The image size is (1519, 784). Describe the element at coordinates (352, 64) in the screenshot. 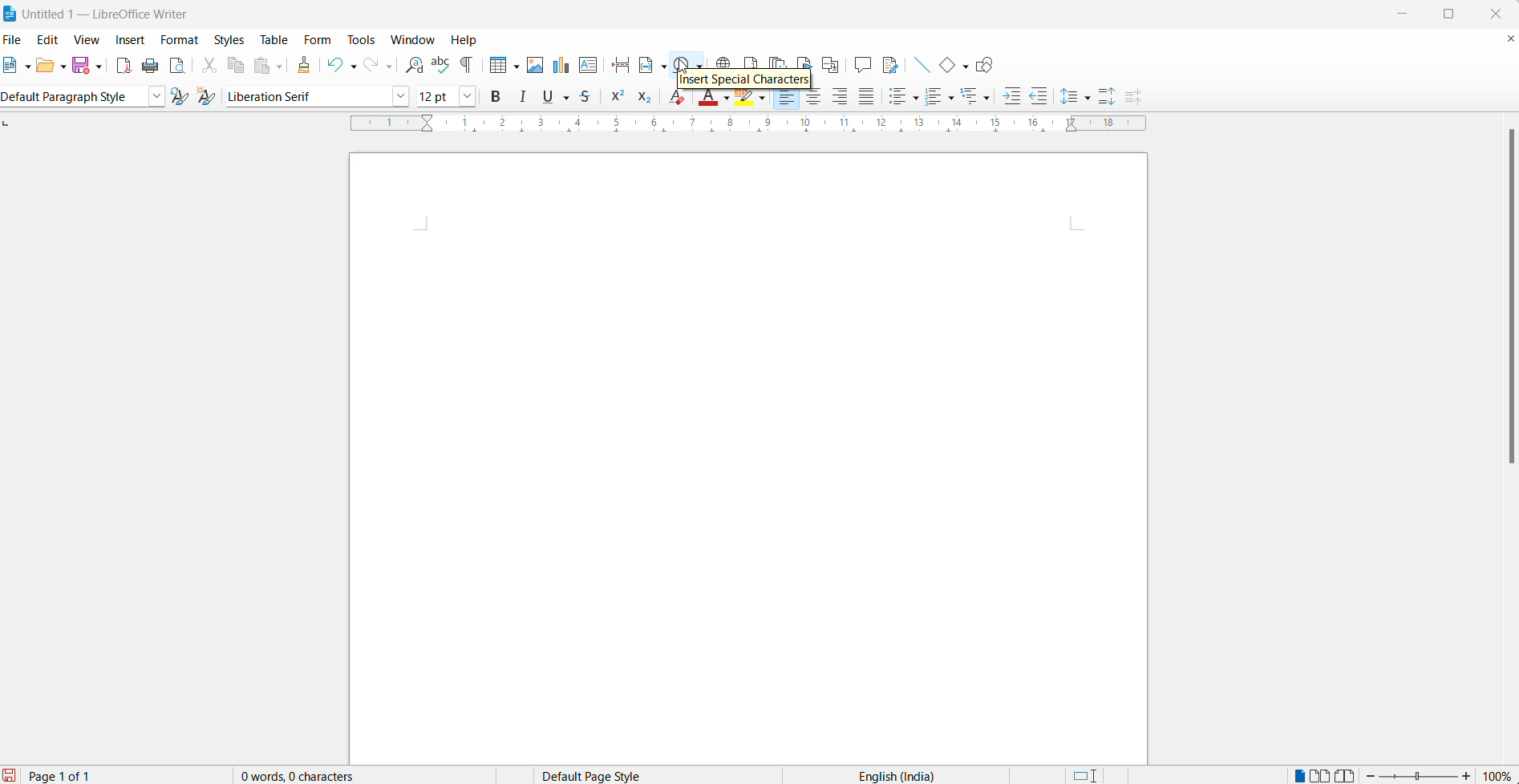

I see `undo options` at that location.